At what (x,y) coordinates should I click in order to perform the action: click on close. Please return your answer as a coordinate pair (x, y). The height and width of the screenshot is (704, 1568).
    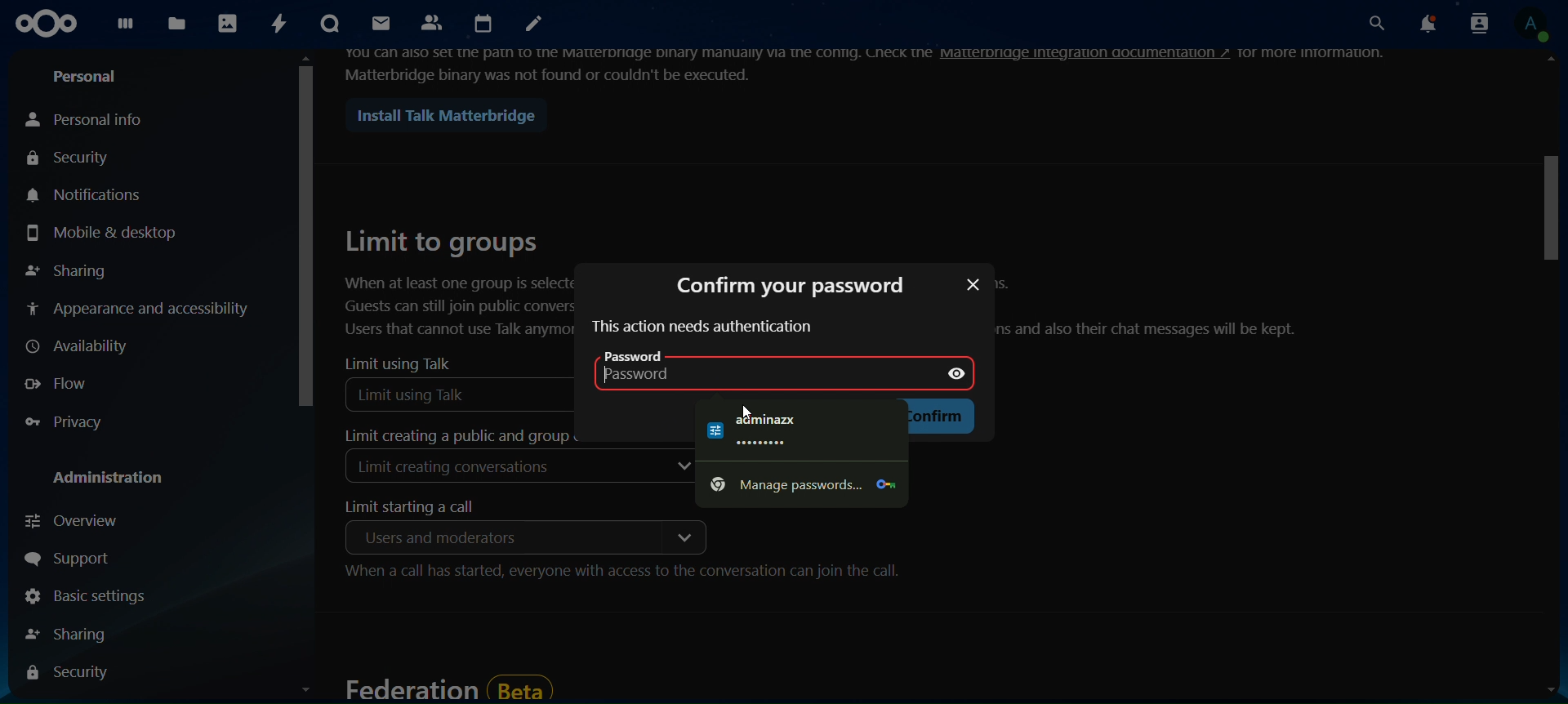
    Looking at the image, I should click on (972, 287).